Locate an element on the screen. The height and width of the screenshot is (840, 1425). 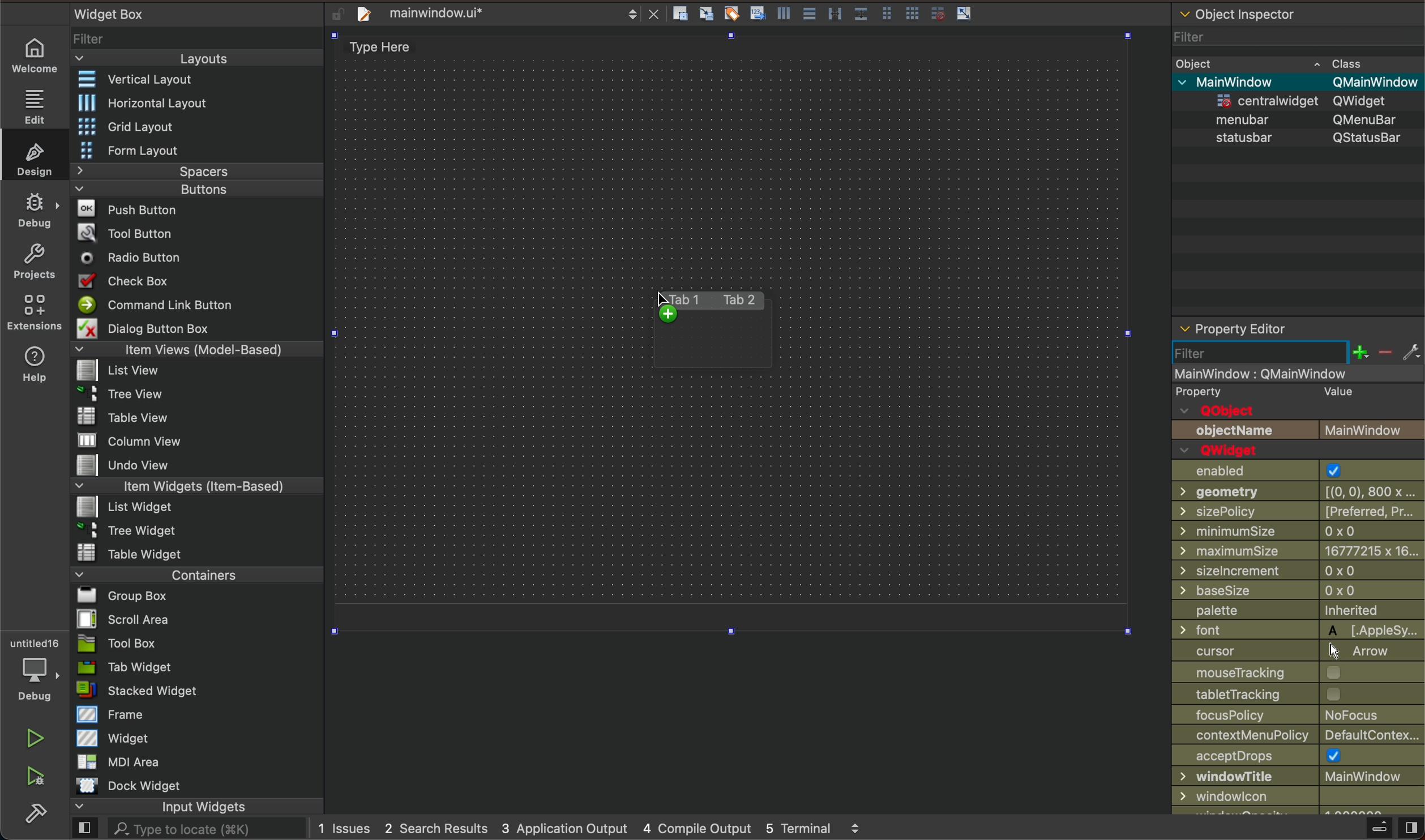
enabled is located at coordinates (1295, 470).